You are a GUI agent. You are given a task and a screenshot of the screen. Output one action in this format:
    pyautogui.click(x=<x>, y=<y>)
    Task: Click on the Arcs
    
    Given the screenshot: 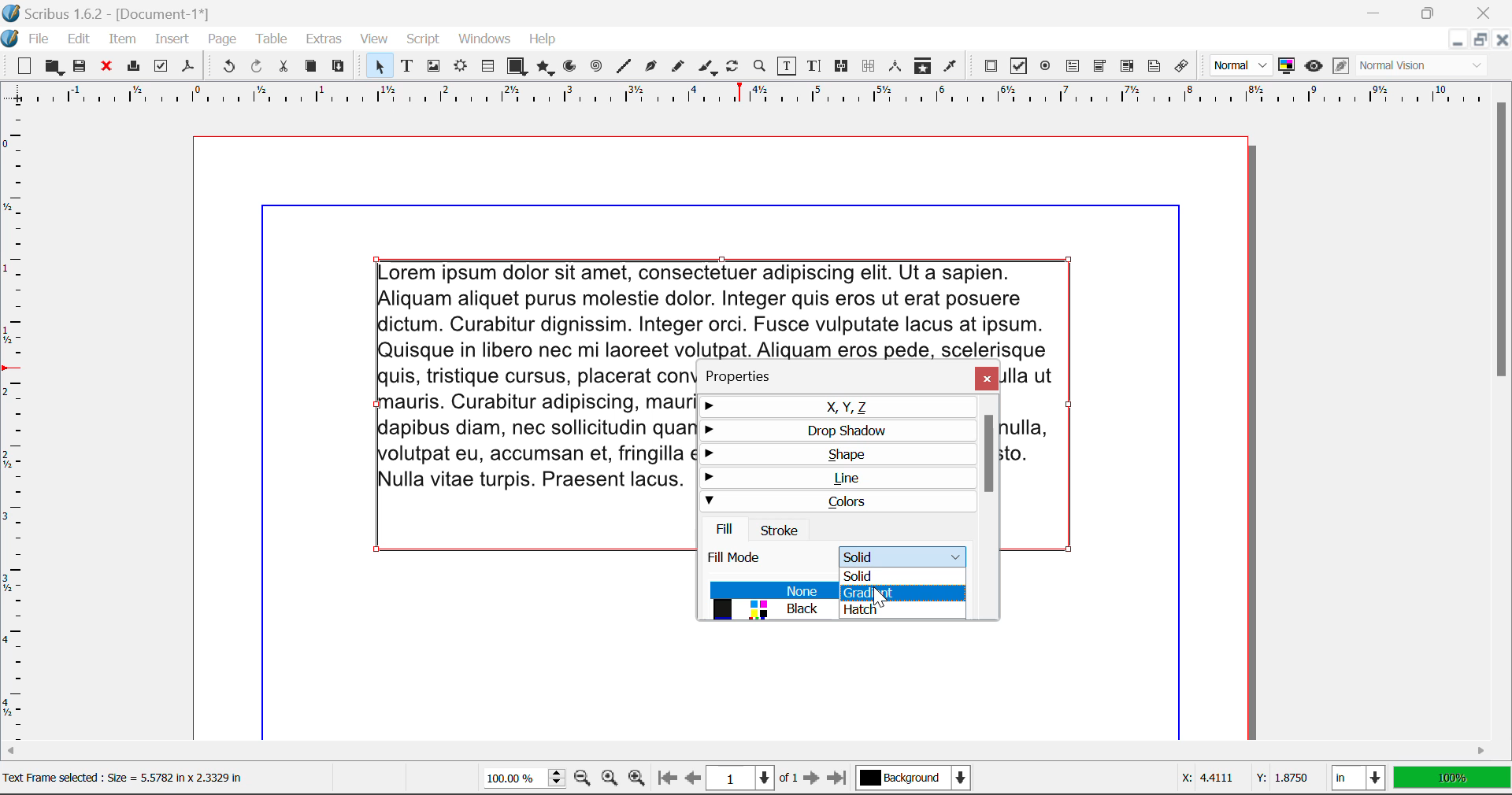 What is the action you would take?
    pyautogui.click(x=572, y=70)
    